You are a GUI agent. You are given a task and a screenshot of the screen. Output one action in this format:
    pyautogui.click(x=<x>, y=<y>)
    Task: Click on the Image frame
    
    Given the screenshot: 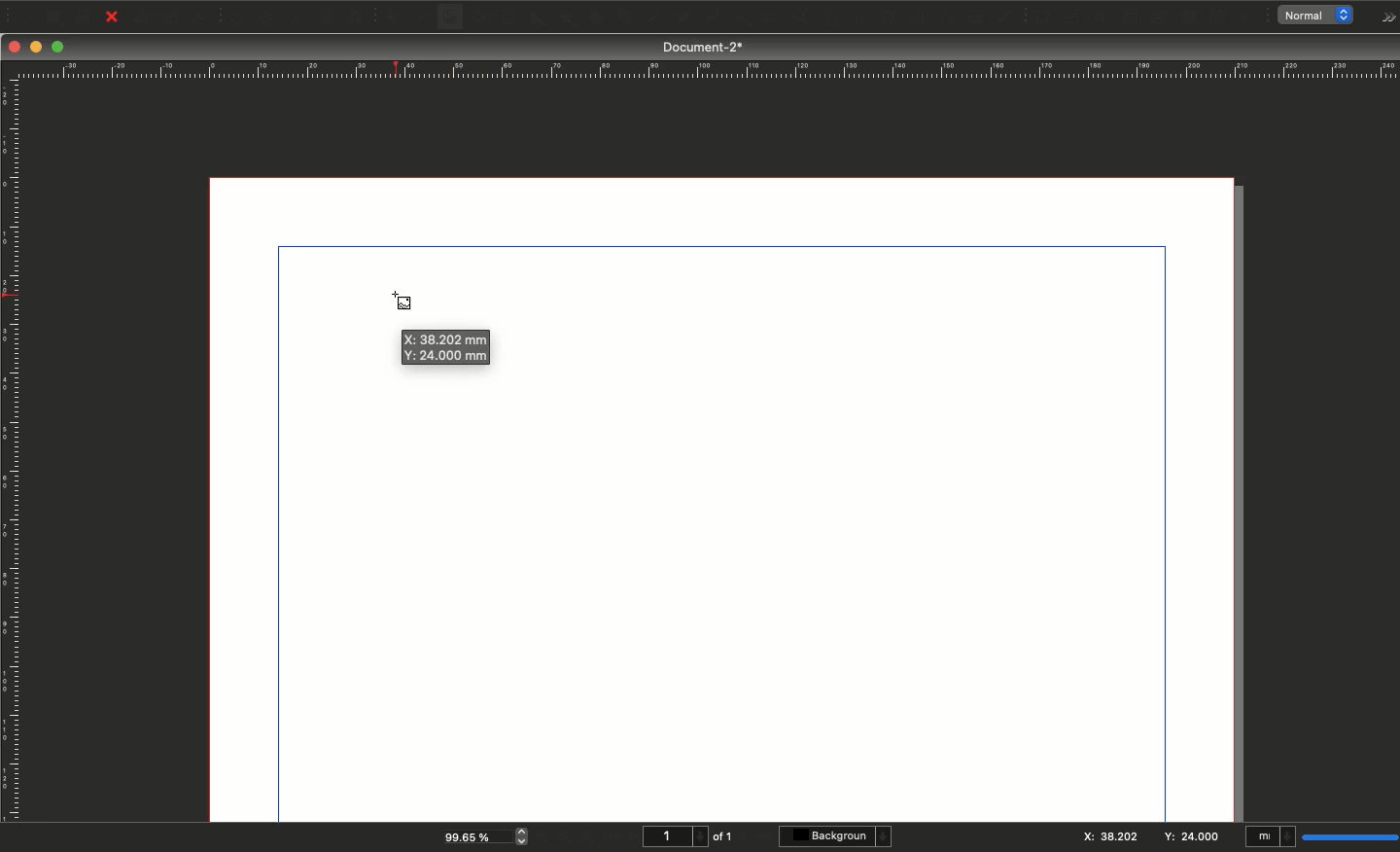 What is the action you would take?
    pyautogui.click(x=453, y=19)
    